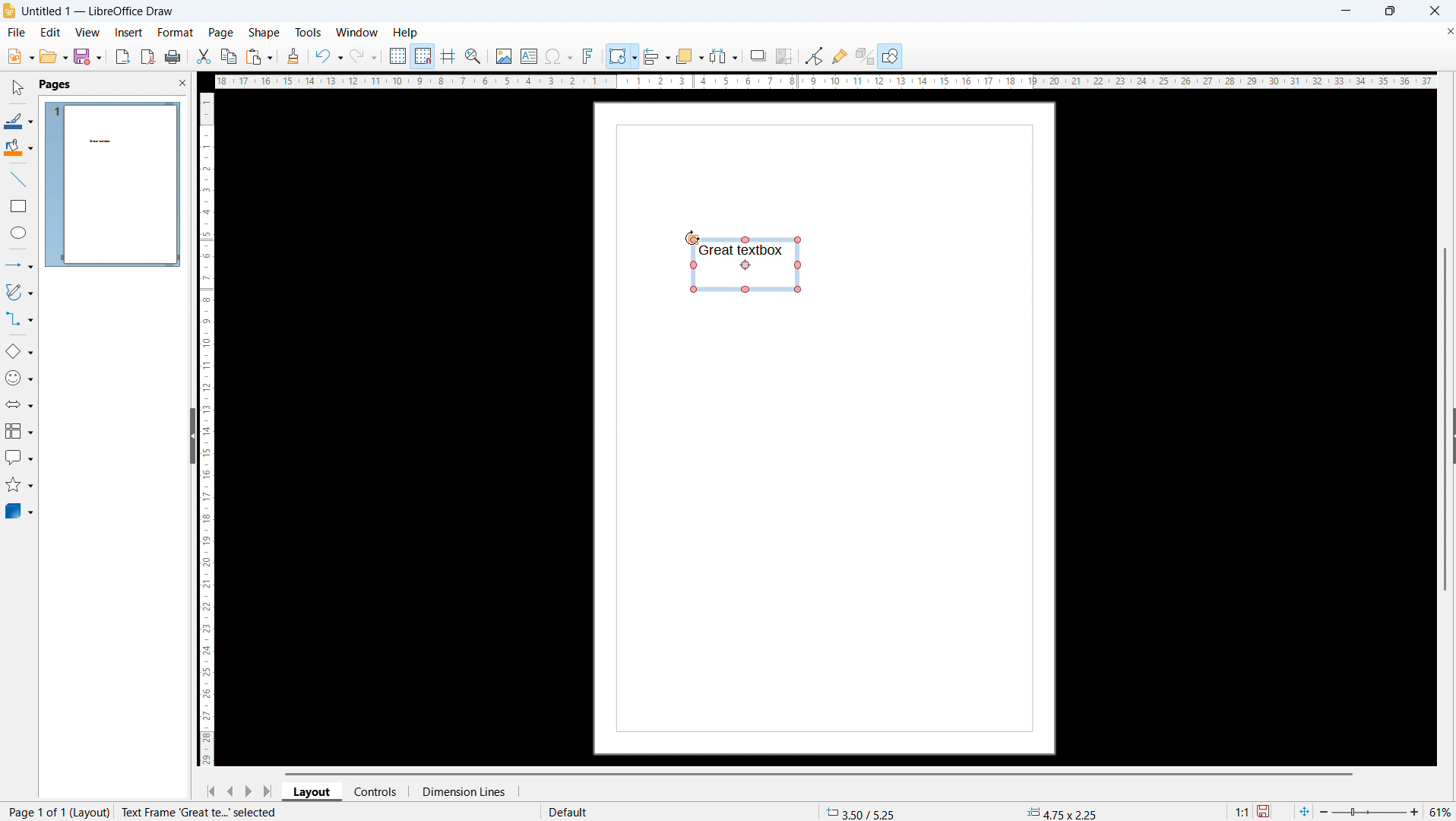  What do you see at coordinates (692, 238) in the screenshot?
I see `Cursor ` at bounding box center [692, 238].